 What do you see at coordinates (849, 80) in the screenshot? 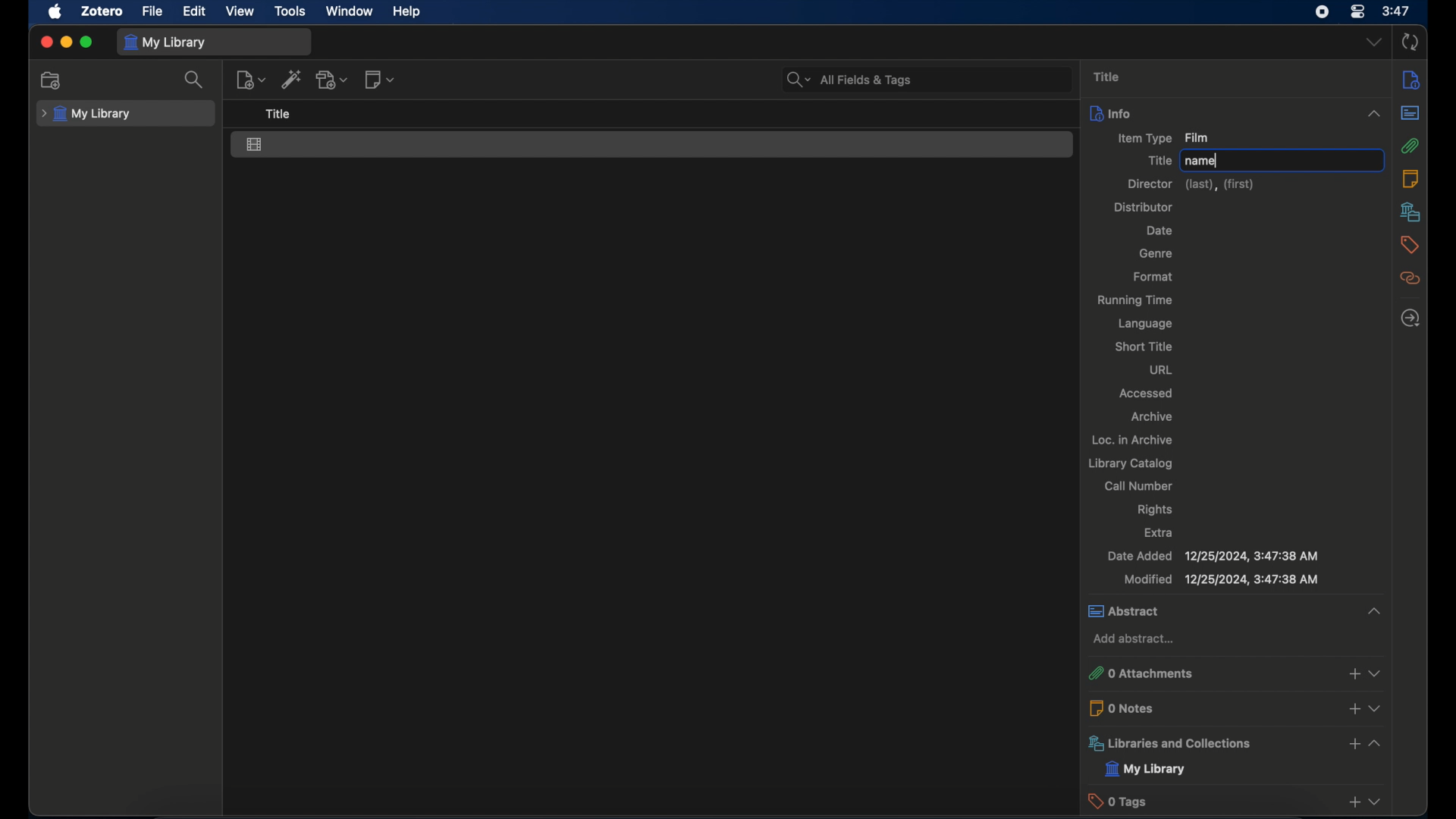
I see `search bar` at bounding box center [849, 80].